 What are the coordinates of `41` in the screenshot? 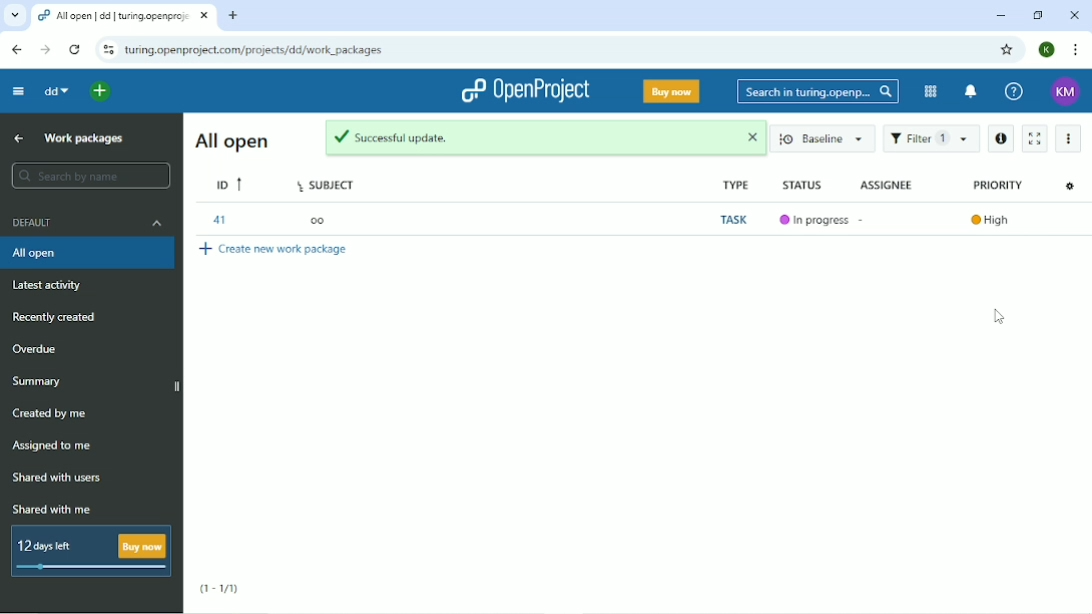 It's located at (214, 220).